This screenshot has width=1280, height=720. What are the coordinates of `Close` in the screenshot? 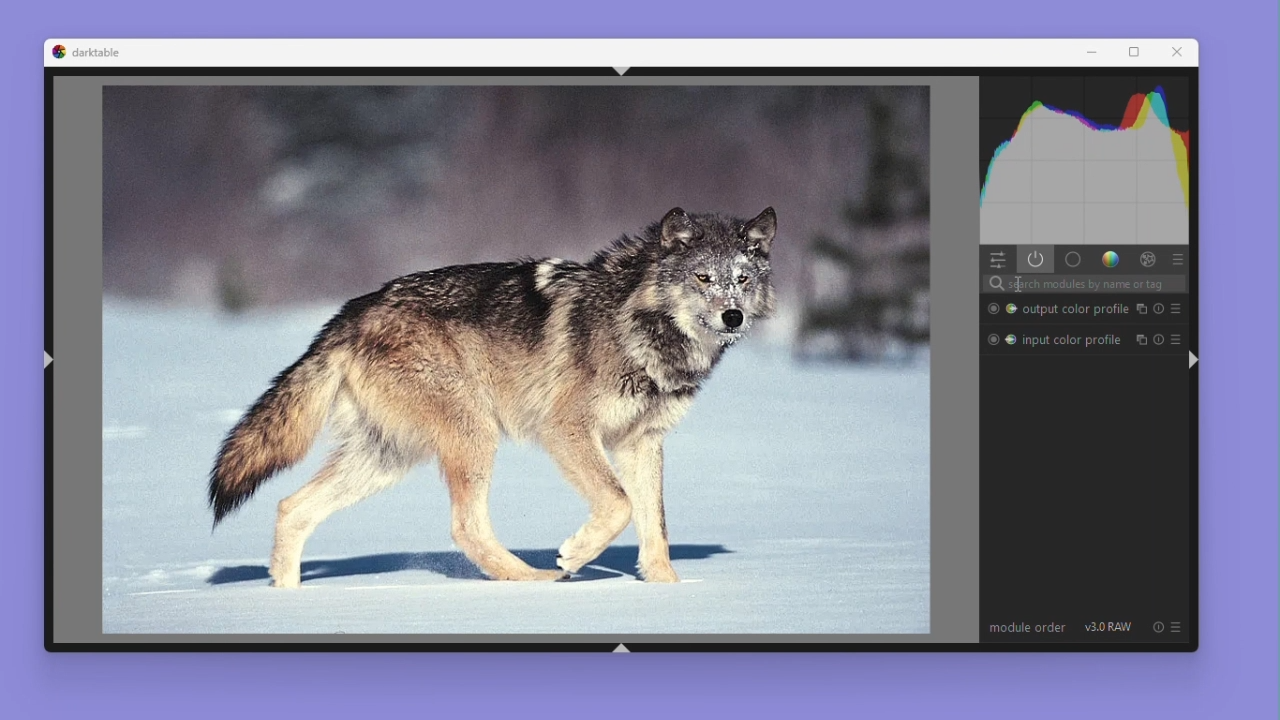 It's located at (1179, 53).